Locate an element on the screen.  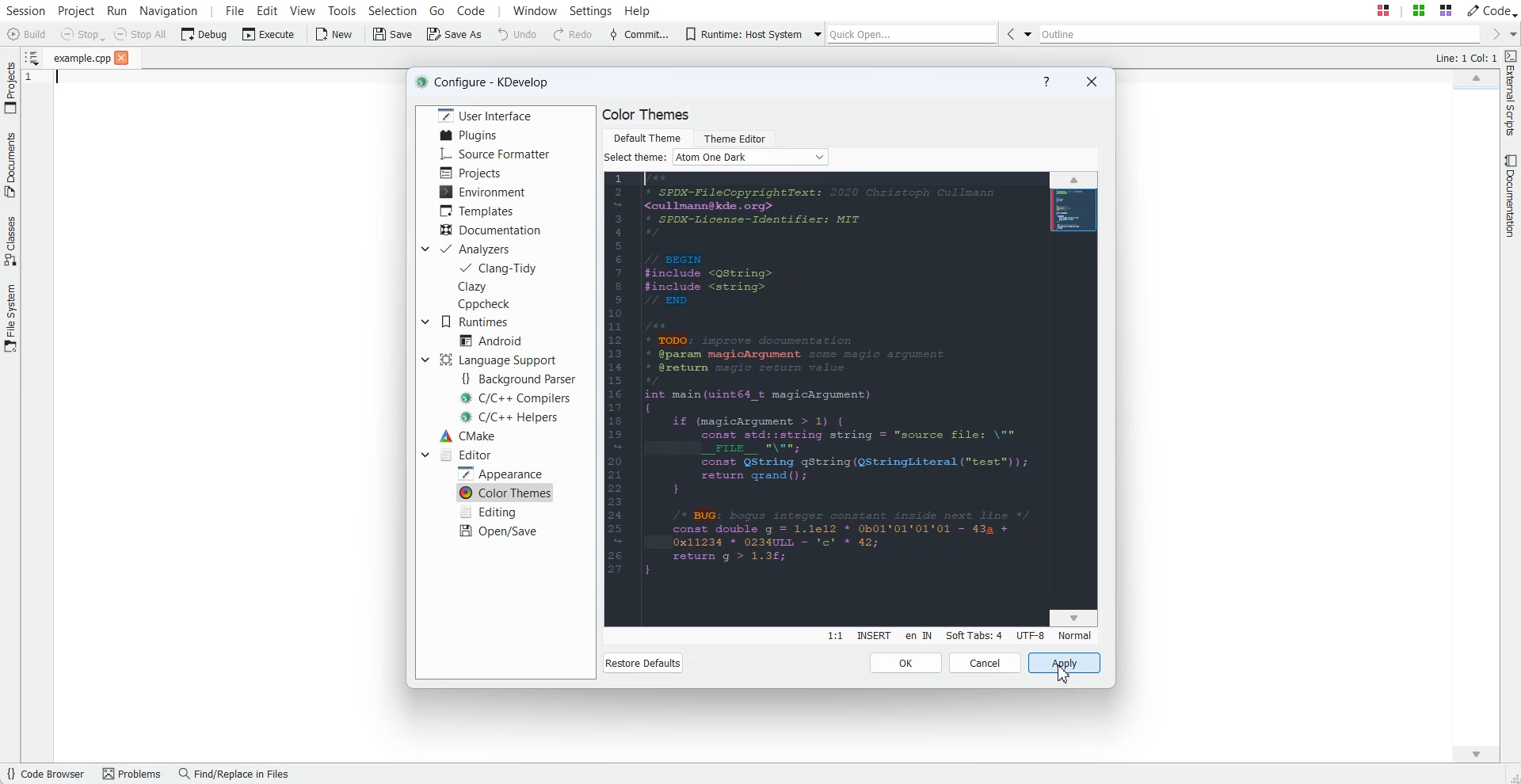
Default Theme is located at coordinates (646, 136).